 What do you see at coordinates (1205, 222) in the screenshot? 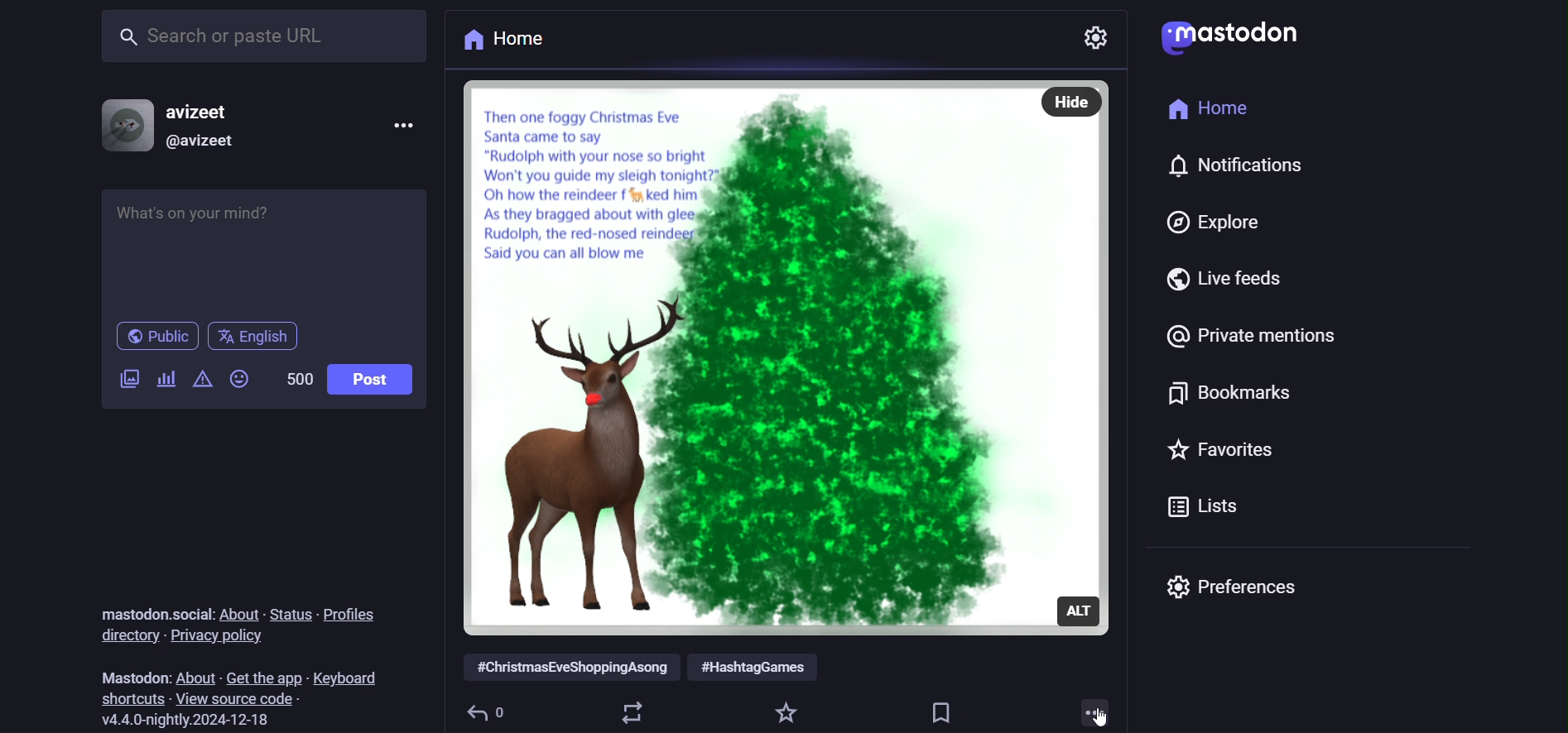
I see `explore` at bounding box center [1205, 222].